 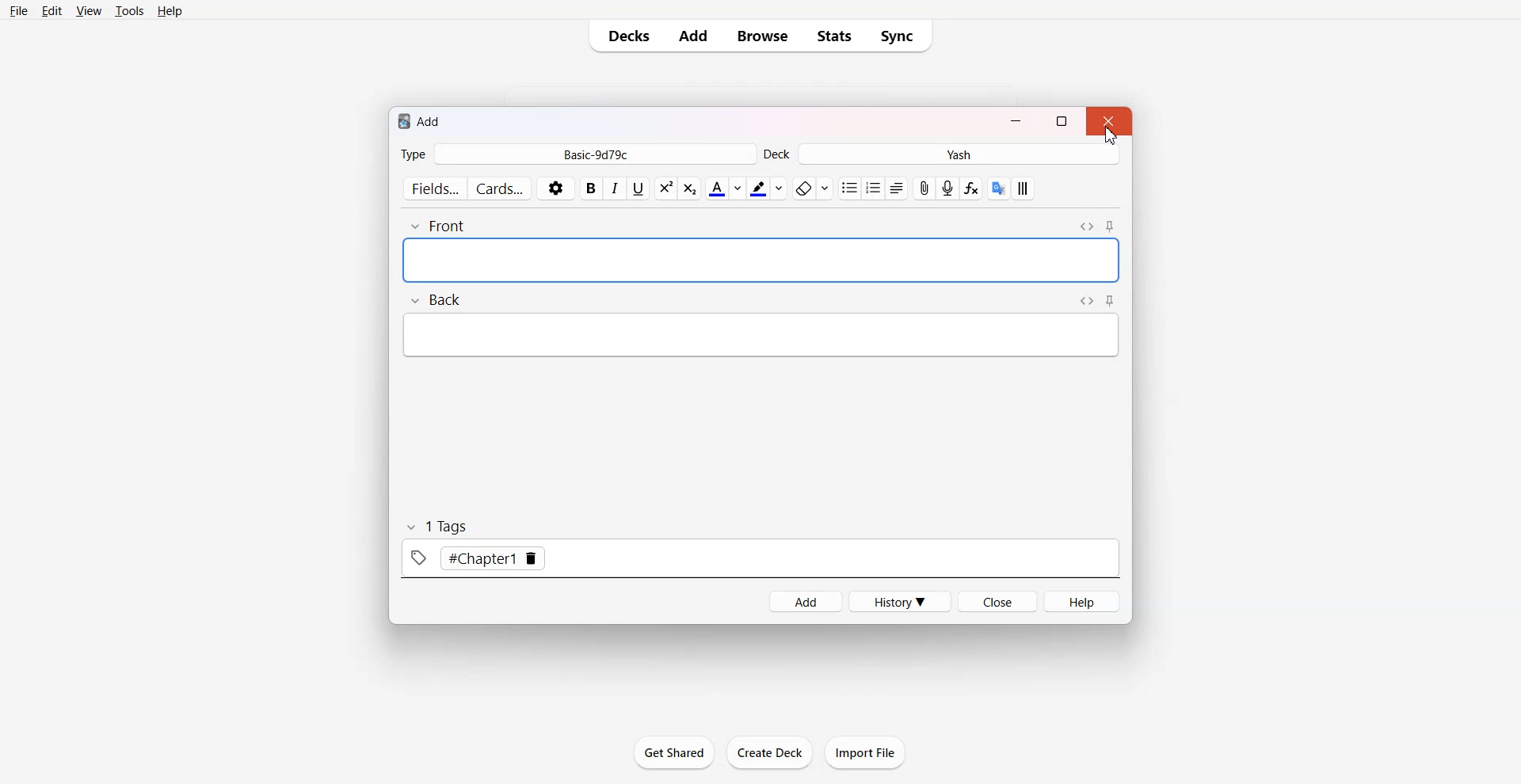 I want to click on Toggle Sticky, so click(x=1110, y=300).